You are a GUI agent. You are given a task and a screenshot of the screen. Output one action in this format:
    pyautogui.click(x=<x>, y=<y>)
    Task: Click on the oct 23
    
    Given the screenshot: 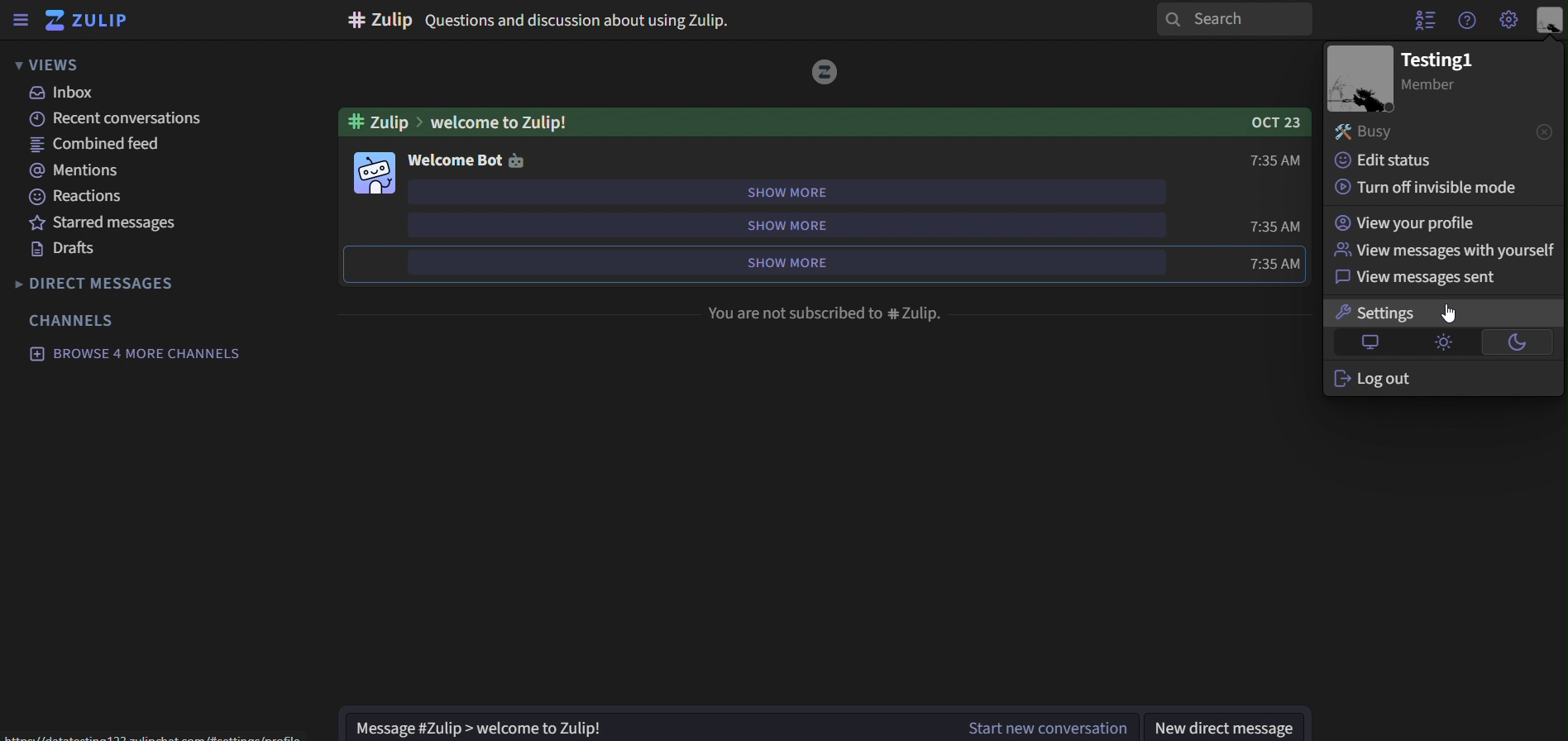 What is the action you would take?
    pyautogui.click(x=1274, y=121)
    